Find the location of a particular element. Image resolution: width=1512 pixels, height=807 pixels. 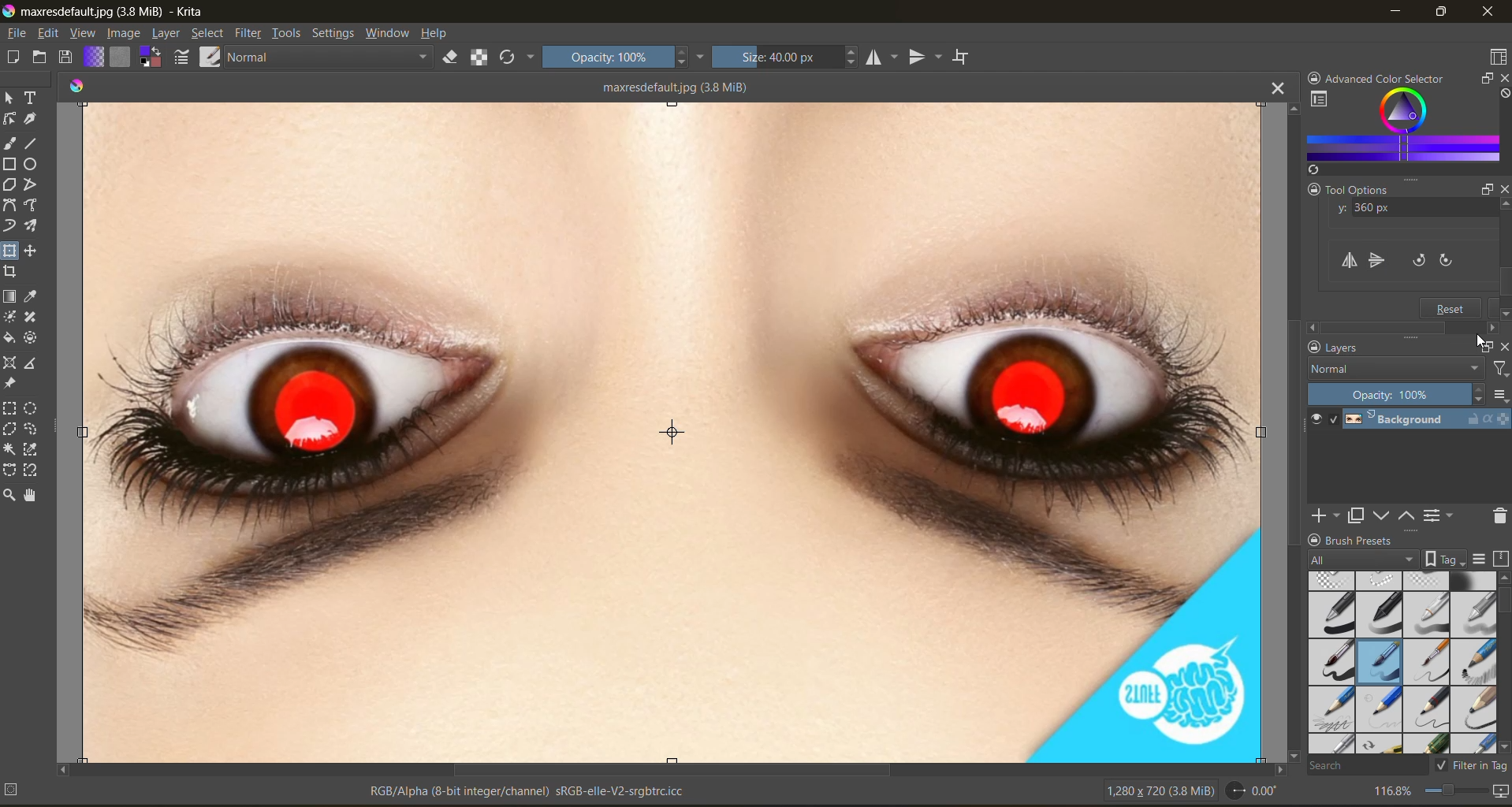

preview is located at coordinates (1316, 420).